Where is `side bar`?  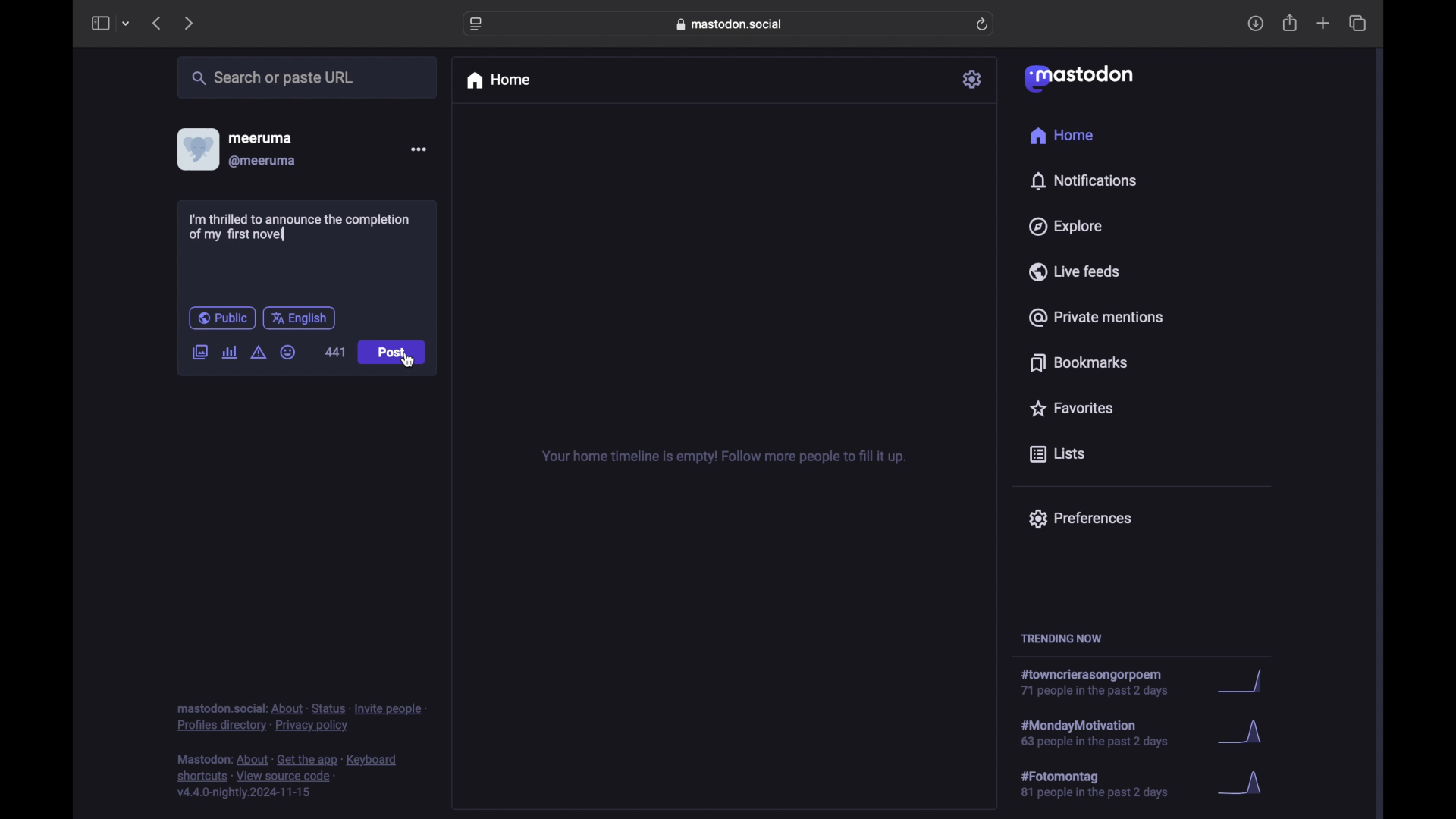 side bar is located at coordinates (99, 23).